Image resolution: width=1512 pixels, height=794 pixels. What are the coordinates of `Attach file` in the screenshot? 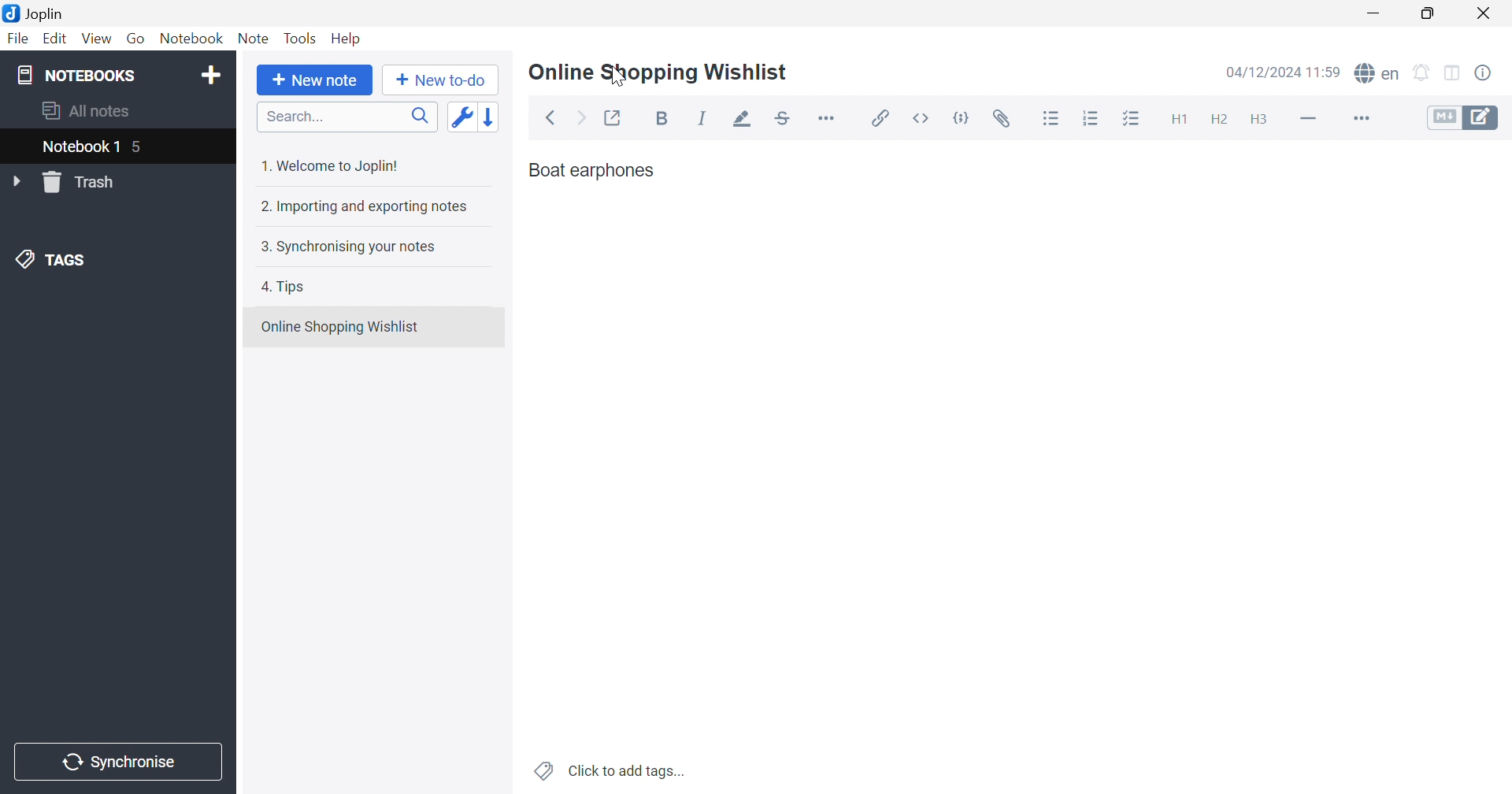 It's located at (1006, 121).